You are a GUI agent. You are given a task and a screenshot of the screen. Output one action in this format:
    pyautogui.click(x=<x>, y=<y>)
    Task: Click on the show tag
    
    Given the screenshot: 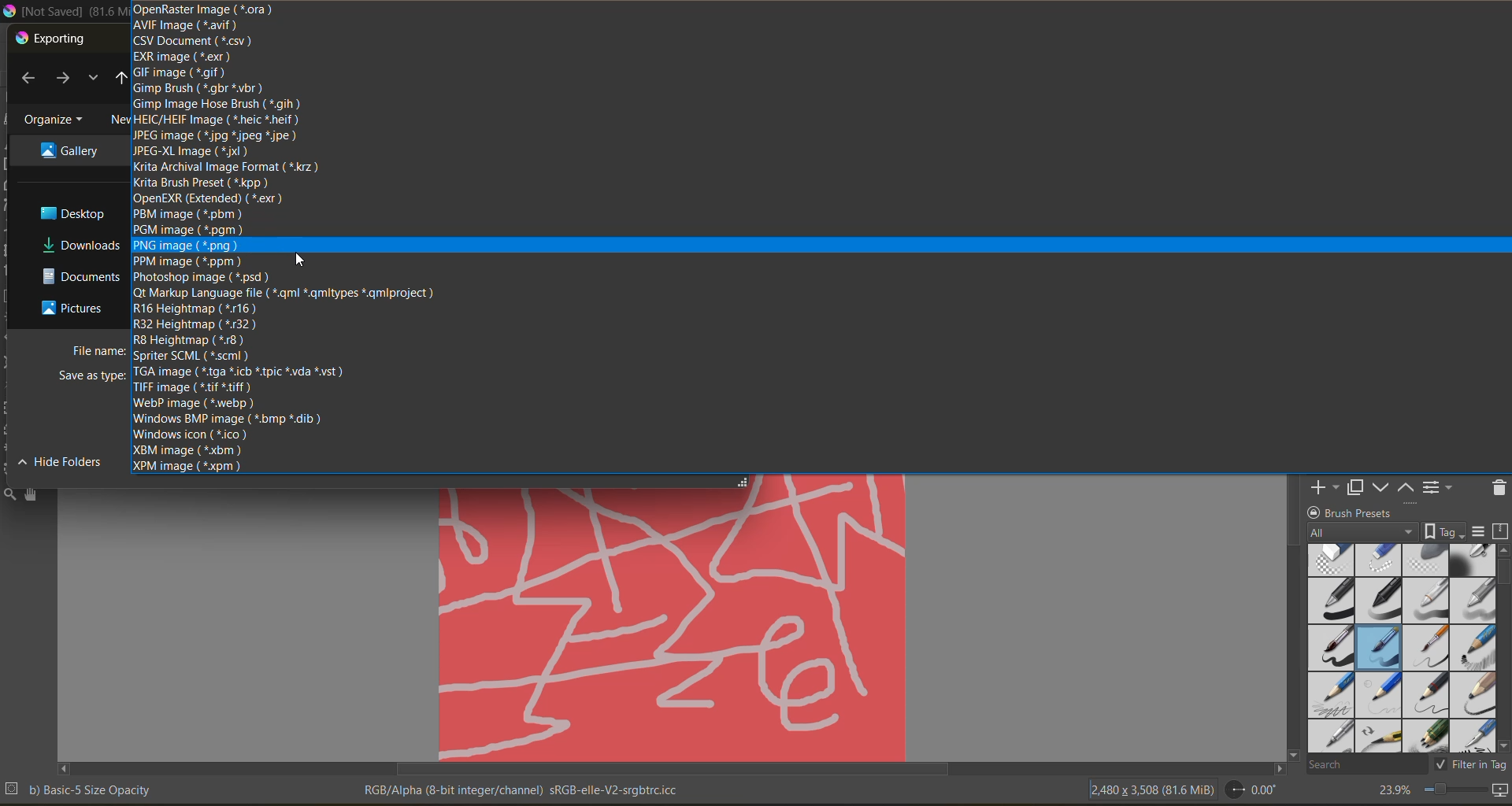 What is the action you would take?
    pyautogui.click(x=1442, y=531)
    